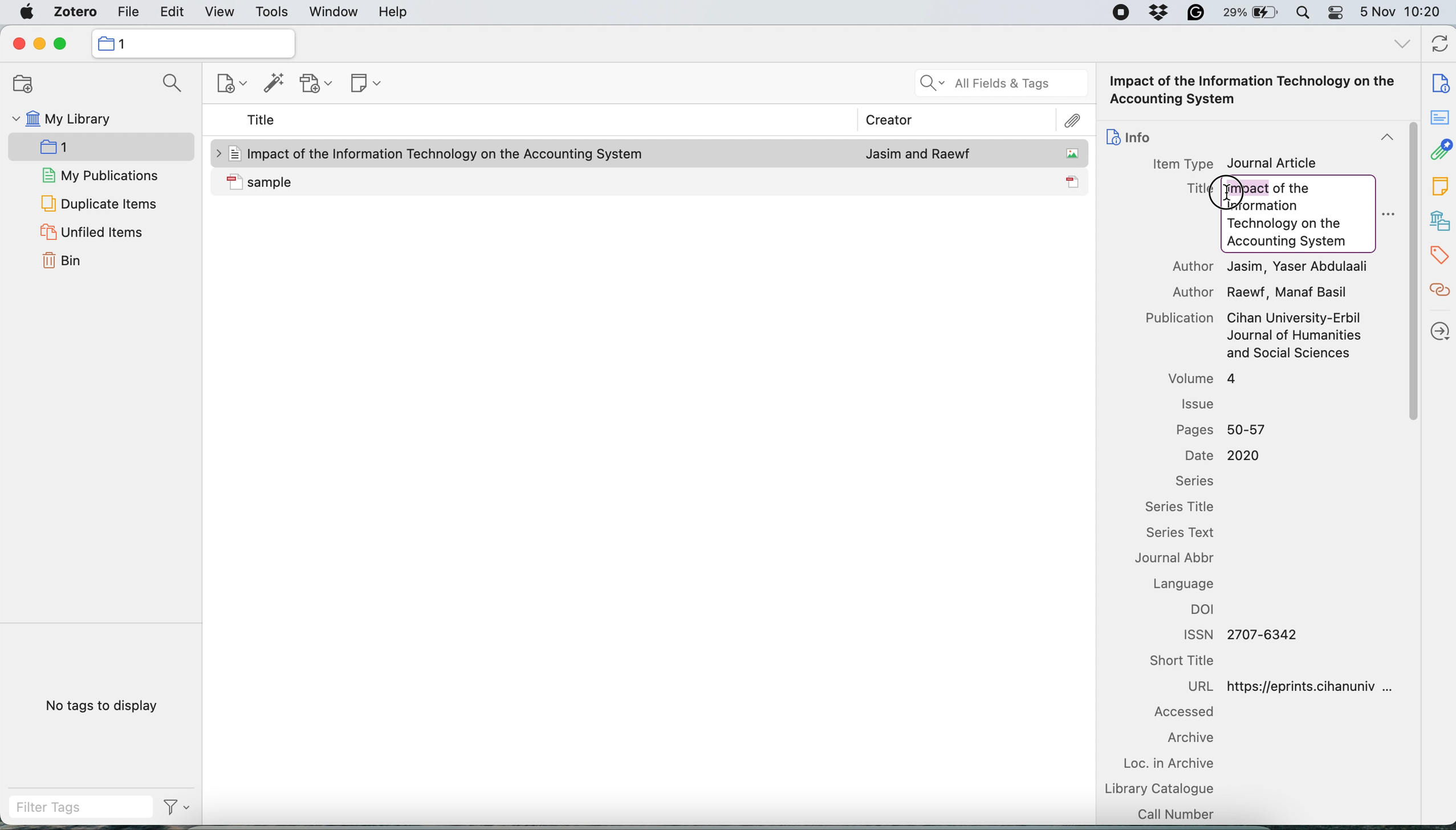 The image size is (1456, 830). Describe the element at coordinates (1439, 220) in the screenshot. I see `libraries and collection` at that location.